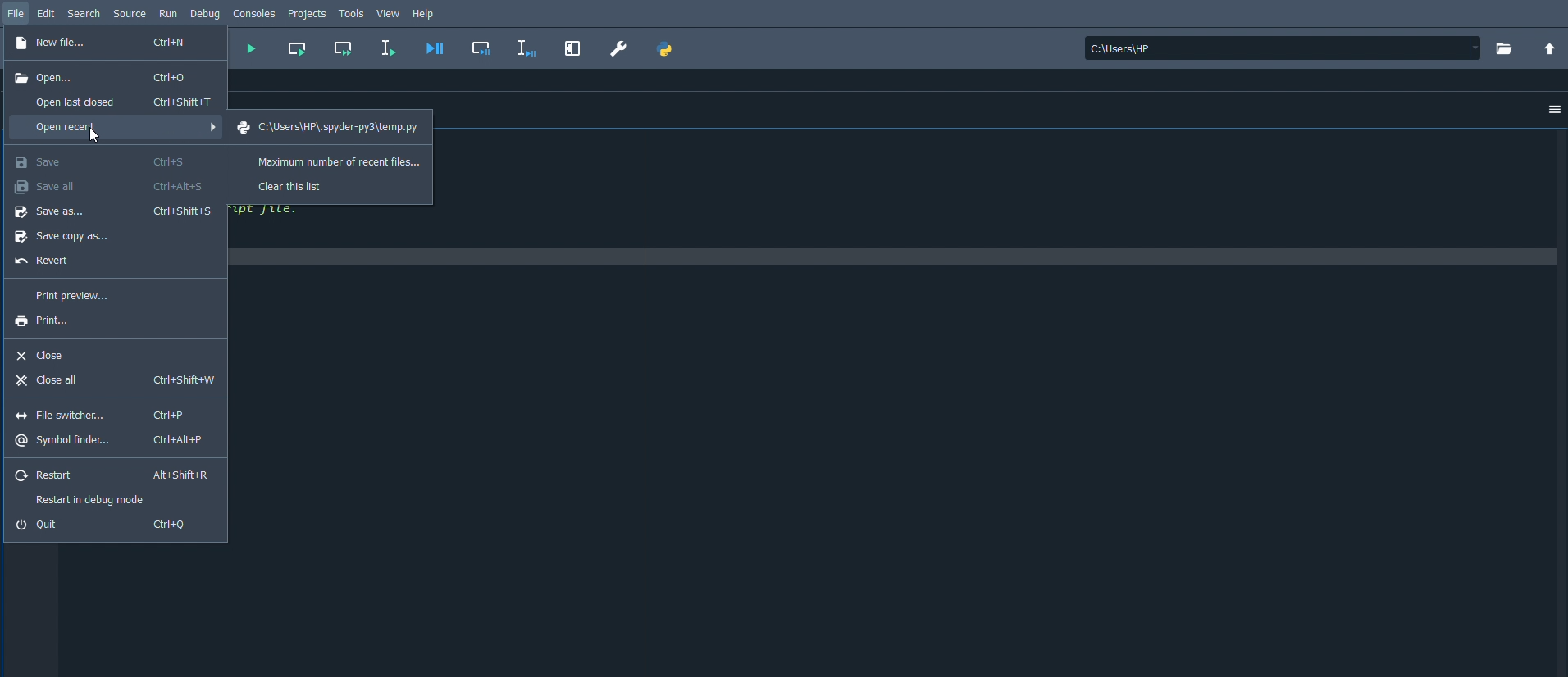 This screenshot has height=677, width=1568. Describe the element at coordinates (666, 49) in the screenshot. I see `PYTHONPATH manager` at that location.